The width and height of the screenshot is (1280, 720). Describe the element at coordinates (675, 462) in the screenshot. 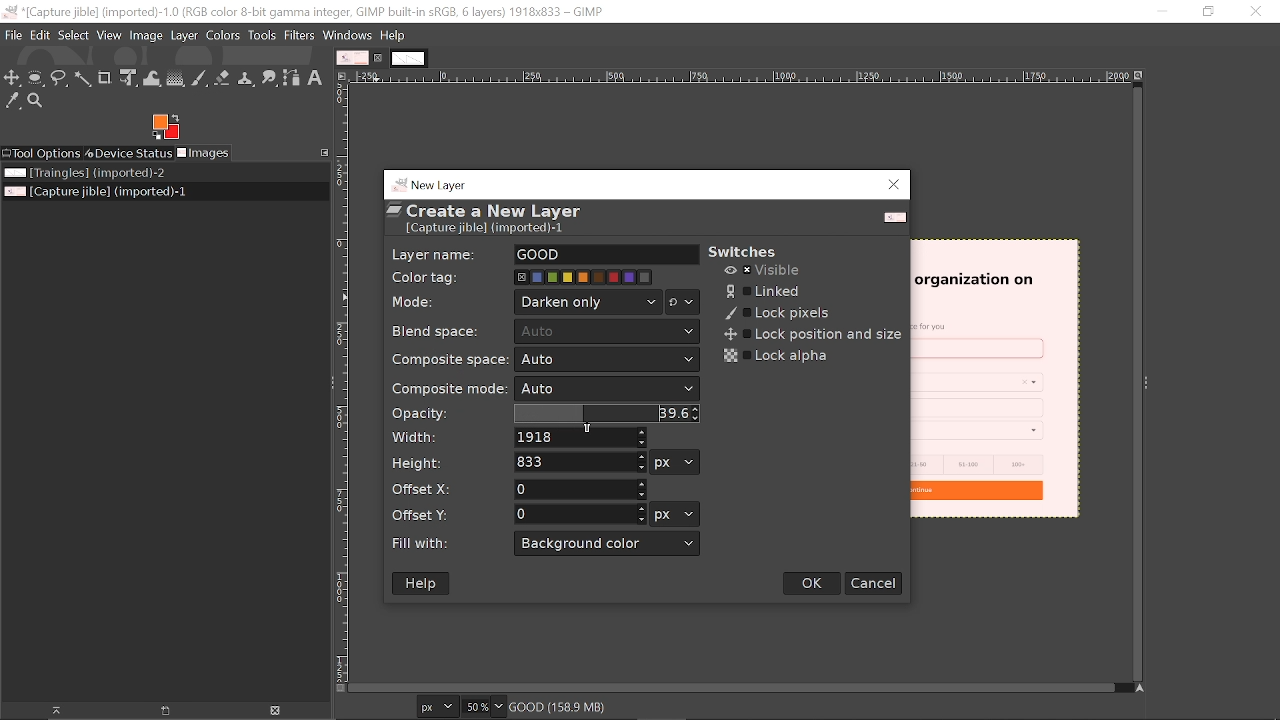

I see `Height Units` at that location.